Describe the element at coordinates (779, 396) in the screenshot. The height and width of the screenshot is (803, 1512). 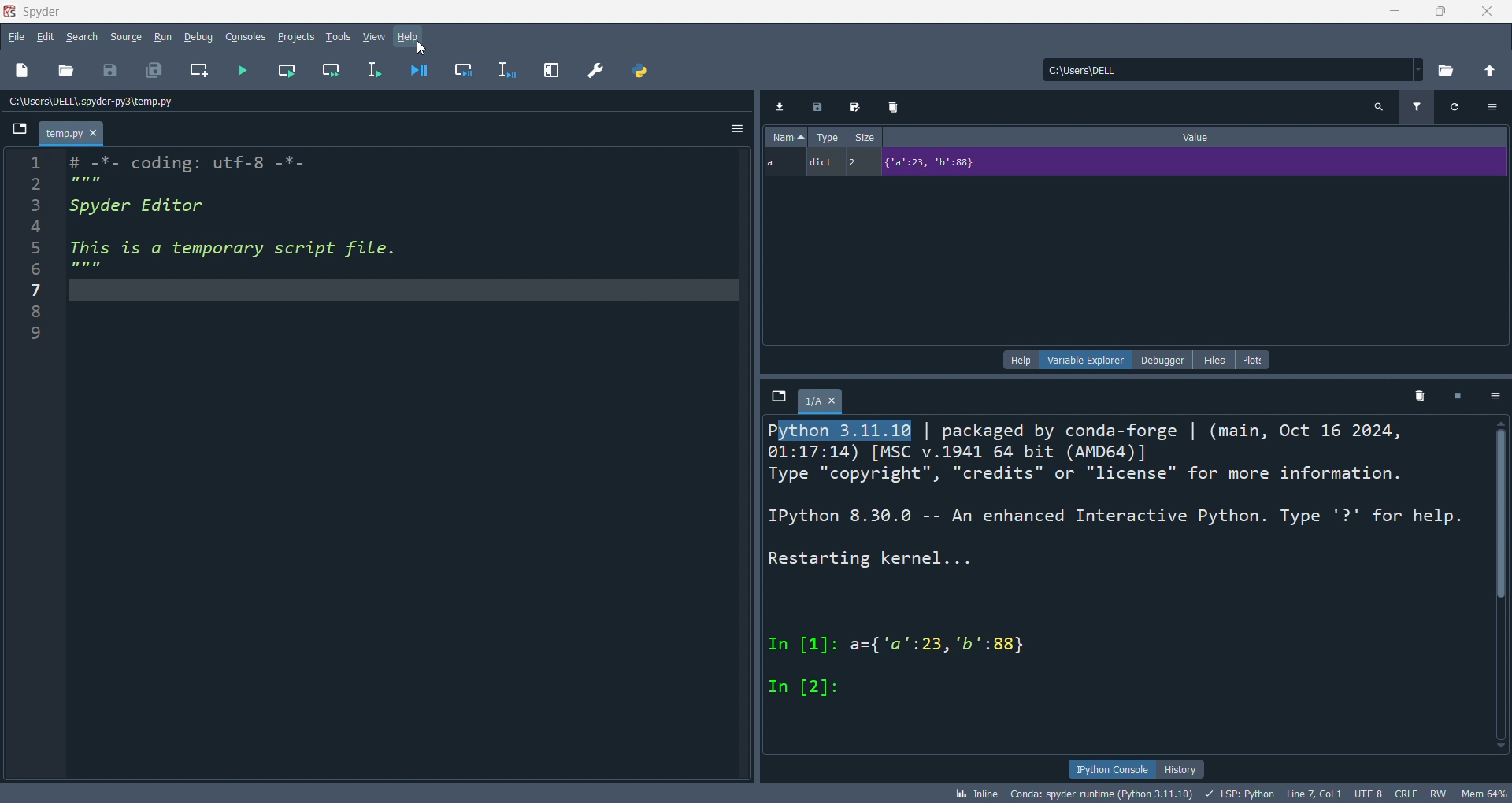
I see `File` at that location.